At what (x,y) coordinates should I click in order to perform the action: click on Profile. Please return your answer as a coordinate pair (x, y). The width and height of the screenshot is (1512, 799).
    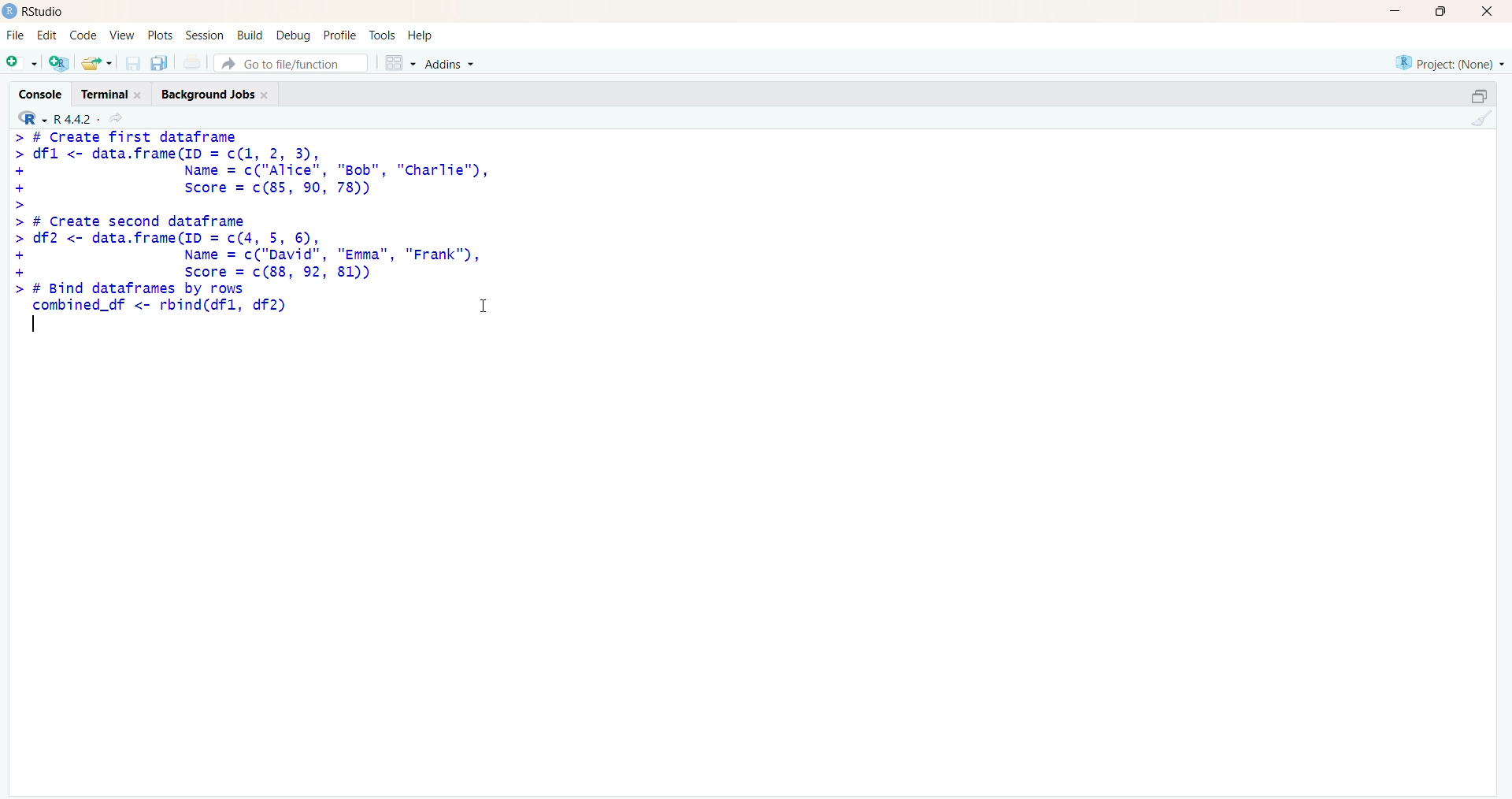
    Looking at the image, I should click on (340, 35).